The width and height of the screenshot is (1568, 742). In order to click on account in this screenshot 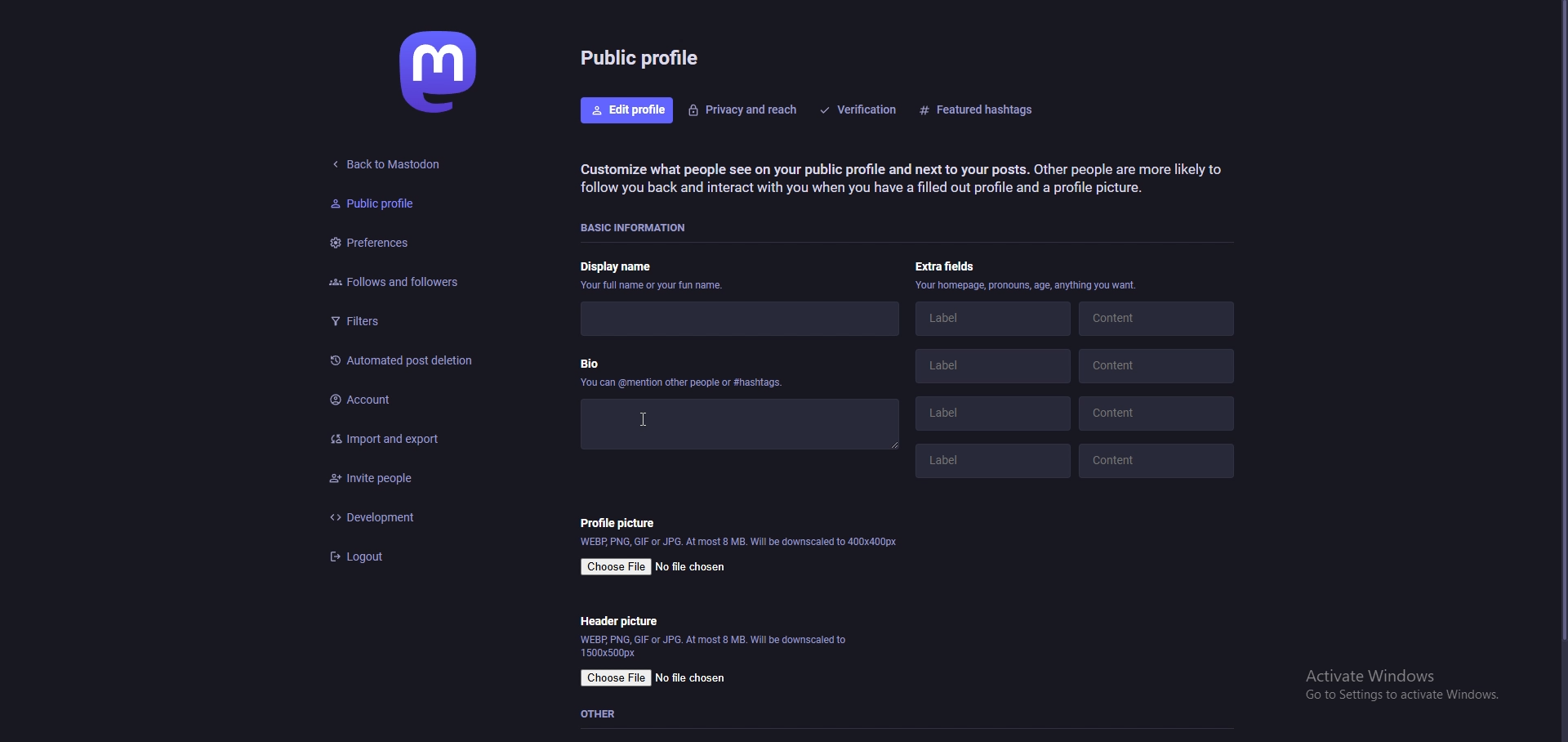, I will do `click(412, 400)`.